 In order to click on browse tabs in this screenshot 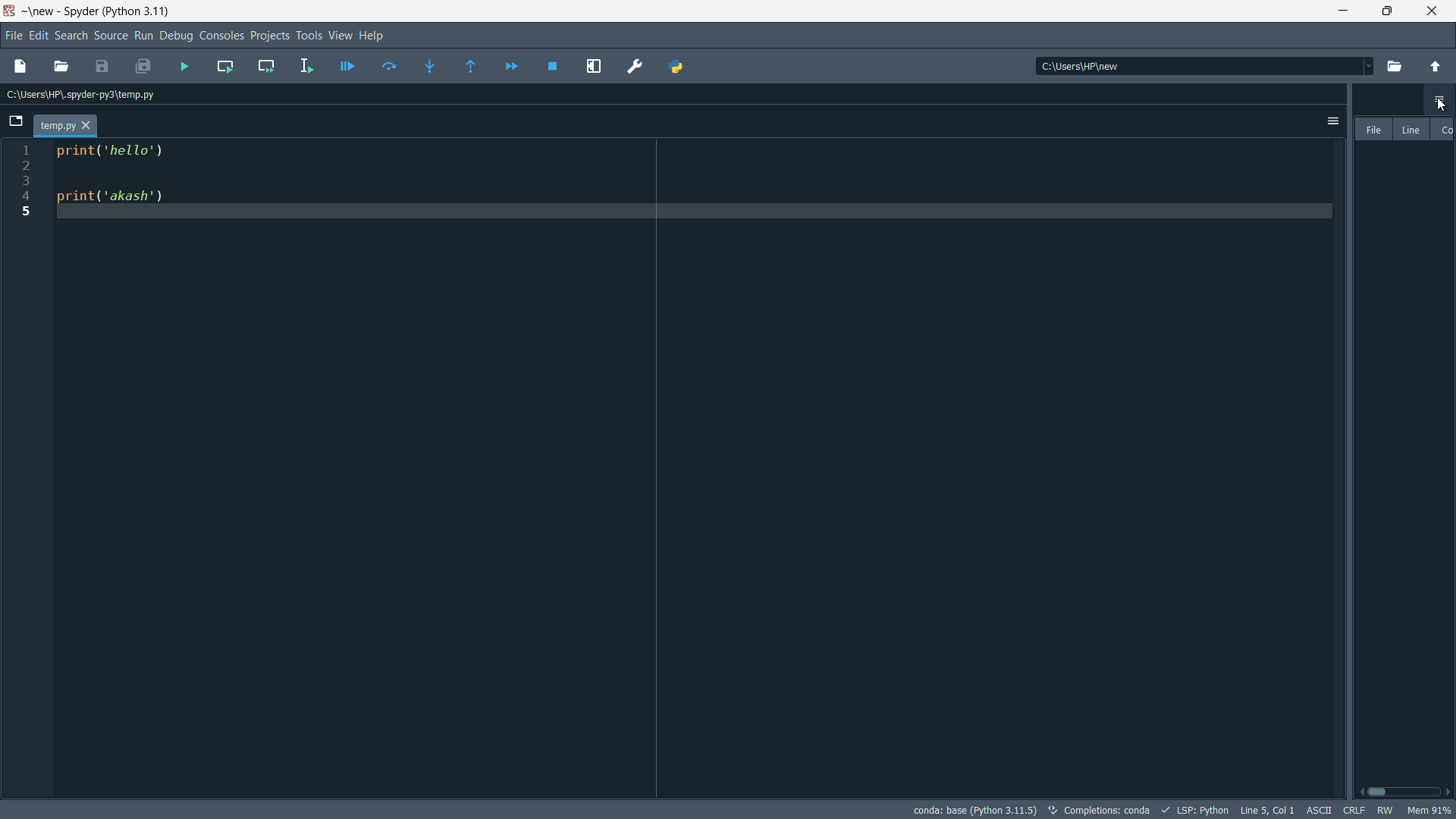, I will do `click(15, 123)`.